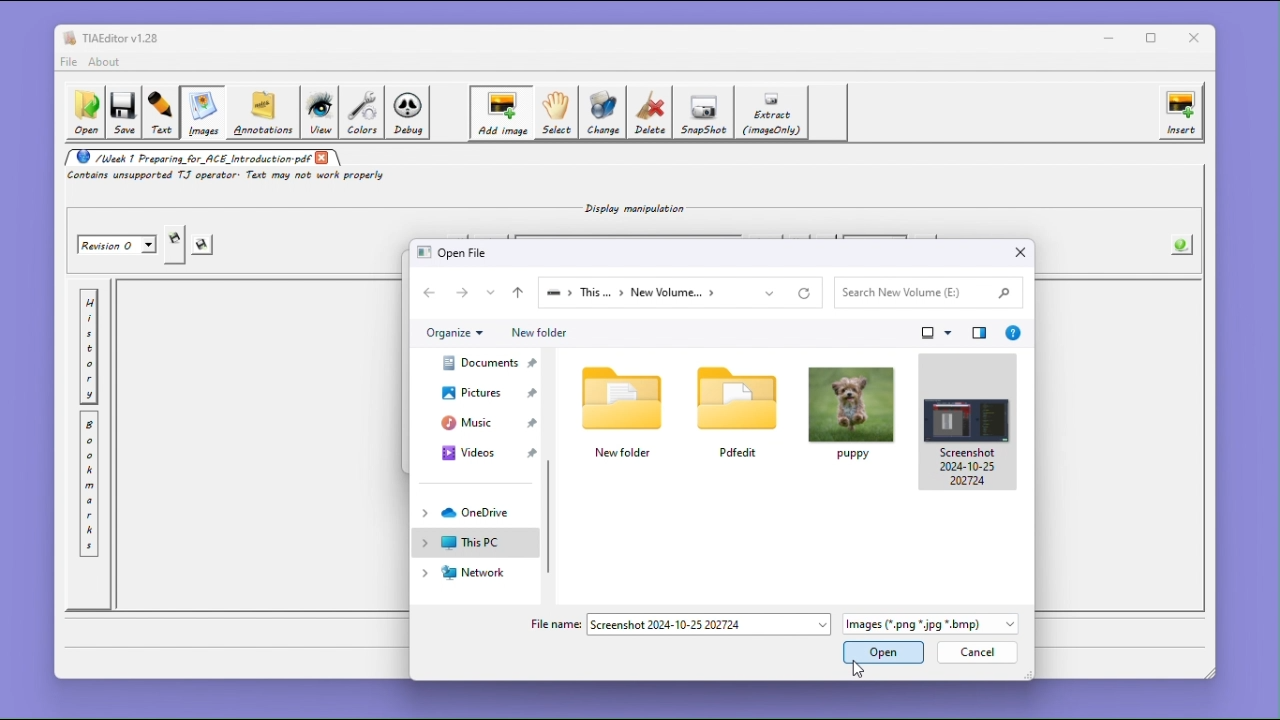 The image size is (1280, 720). Describe the element at coordinates (938, 333) in the screenshot. I see `change your view` at that location.